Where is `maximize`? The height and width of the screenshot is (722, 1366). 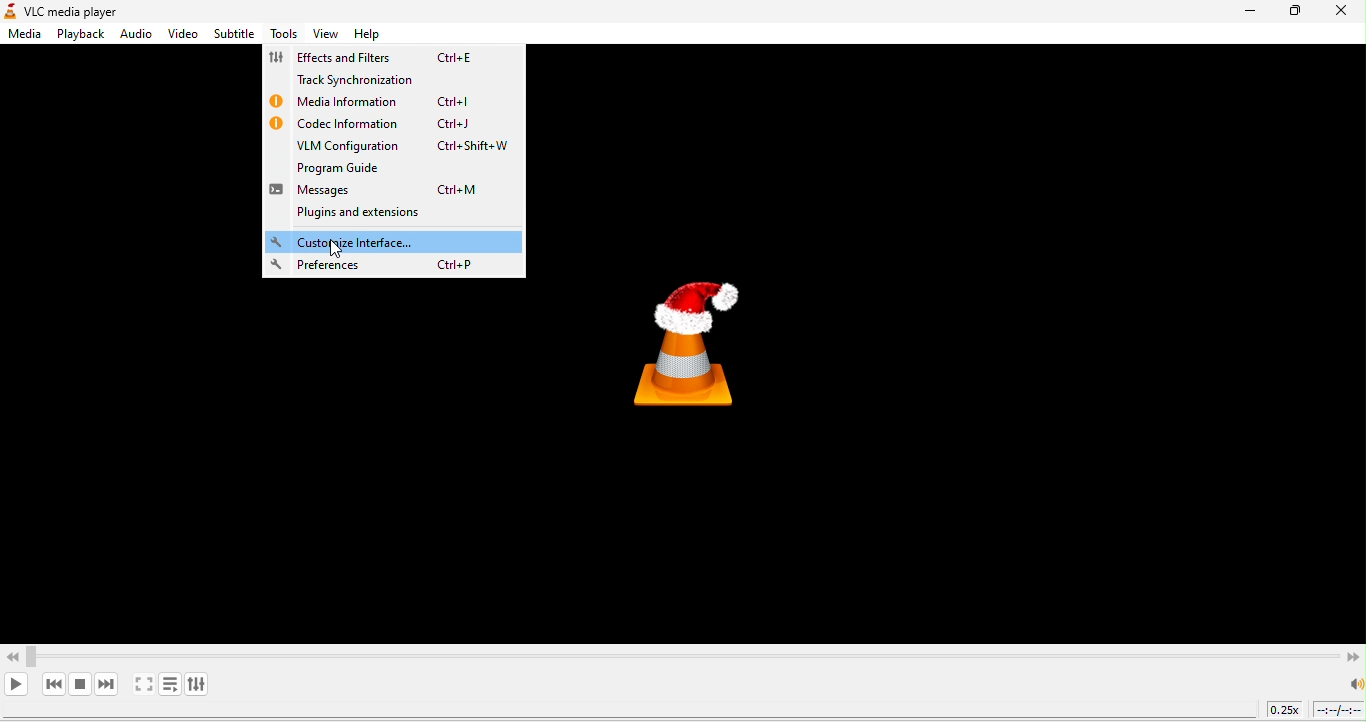
maximize is located at coordinates (1300, 13).